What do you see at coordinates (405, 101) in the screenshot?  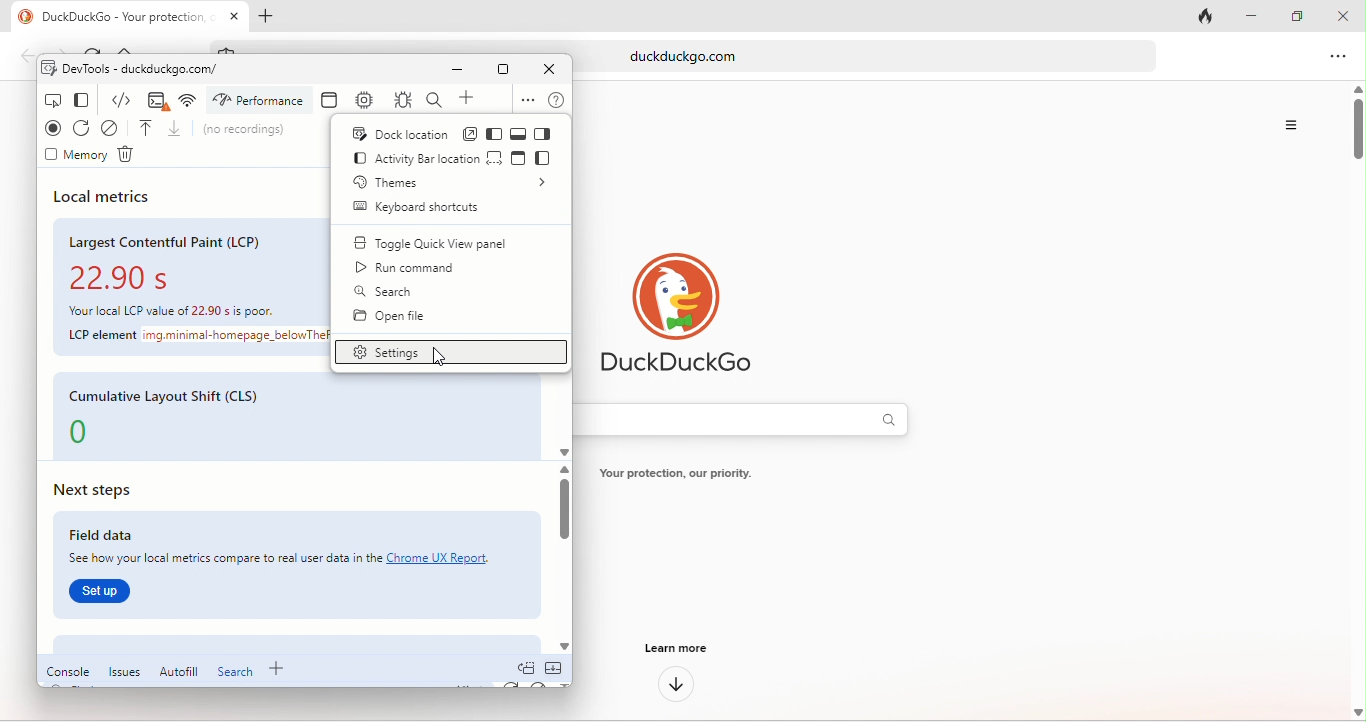 I see `sources` at bounding box center [405, 101].